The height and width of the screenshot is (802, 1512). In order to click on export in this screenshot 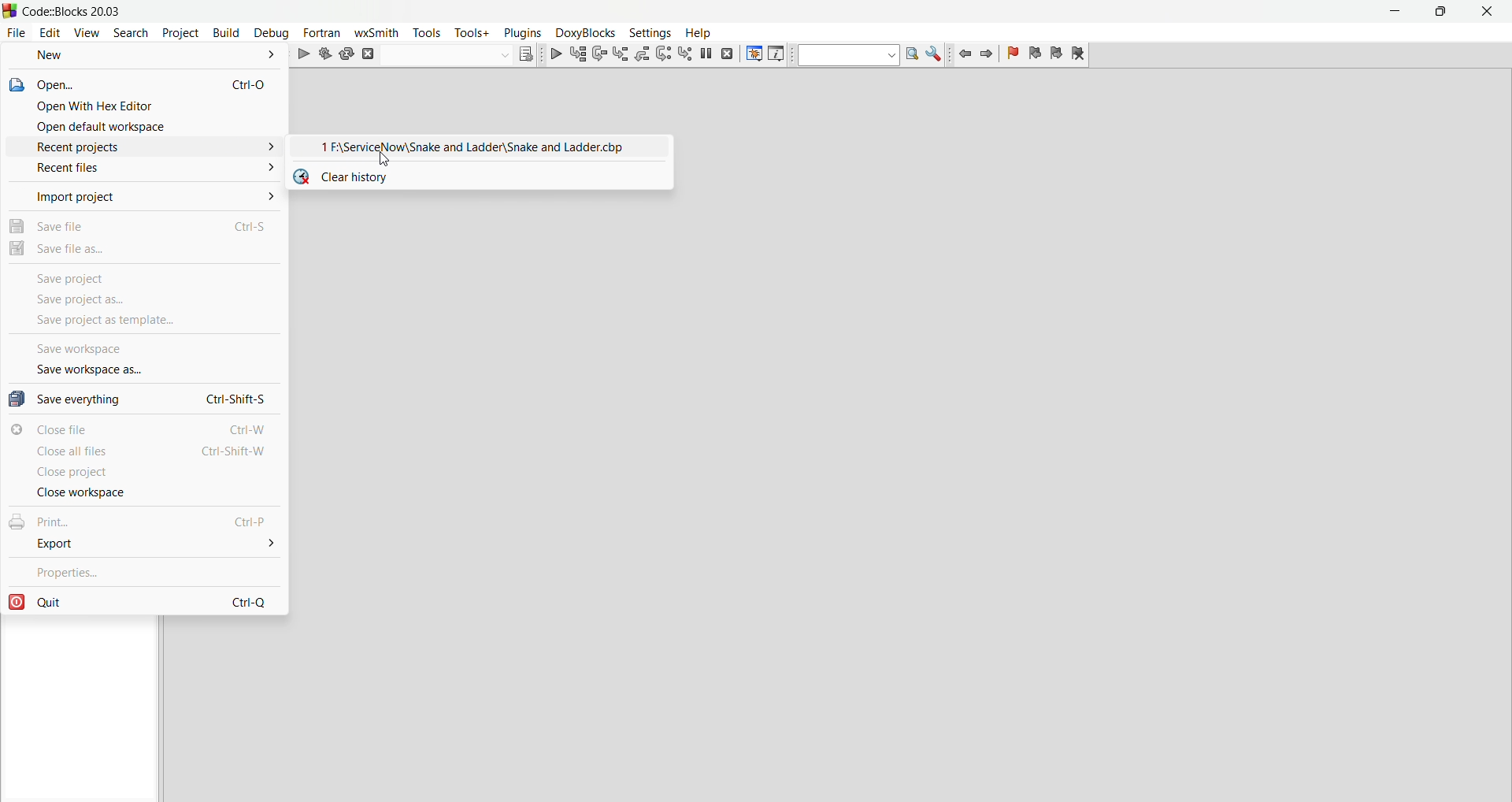, I will do `click(143, 544)`.